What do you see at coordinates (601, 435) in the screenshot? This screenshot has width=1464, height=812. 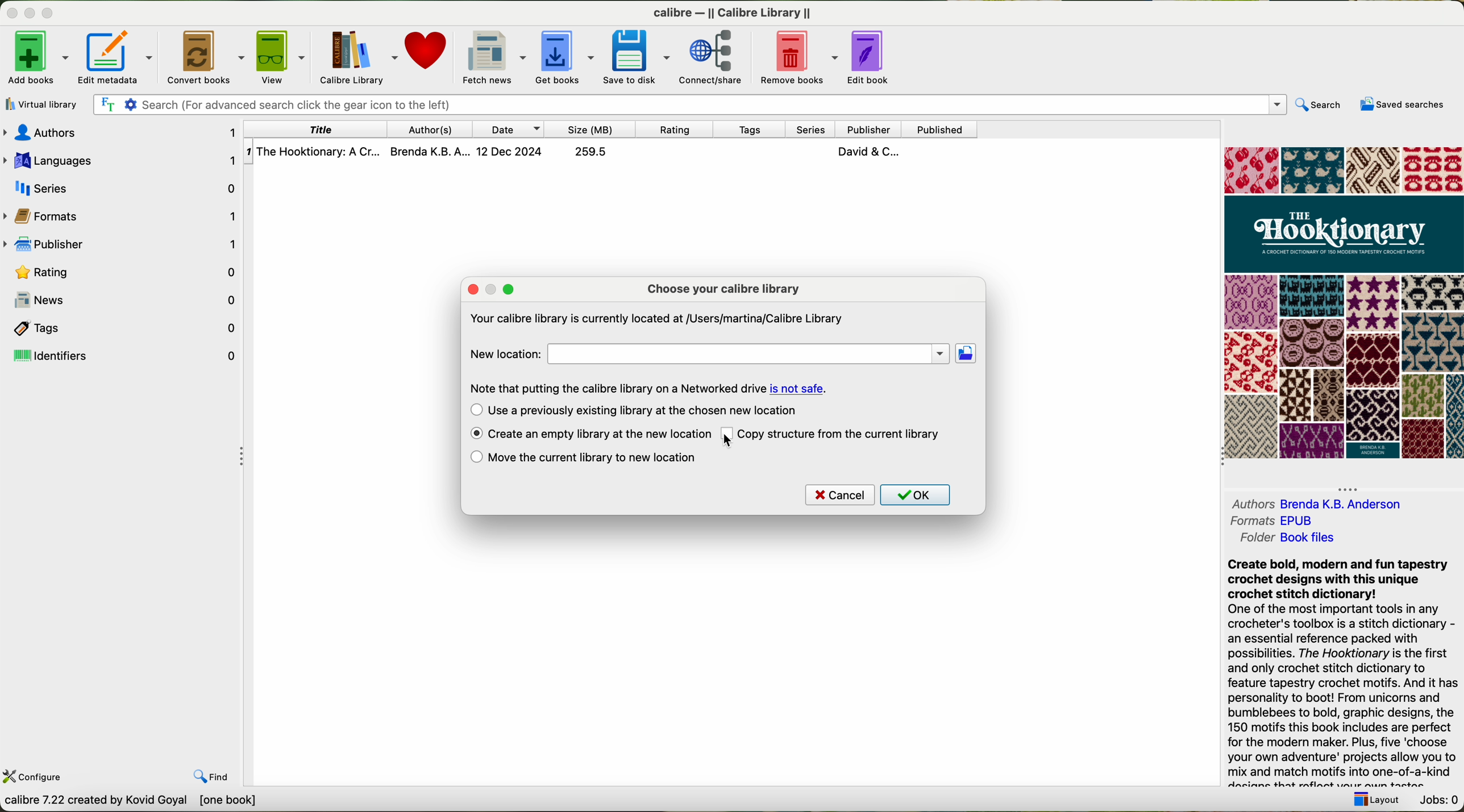 I see `click on create an empty library at the new location` at bounding box center [601, 435].